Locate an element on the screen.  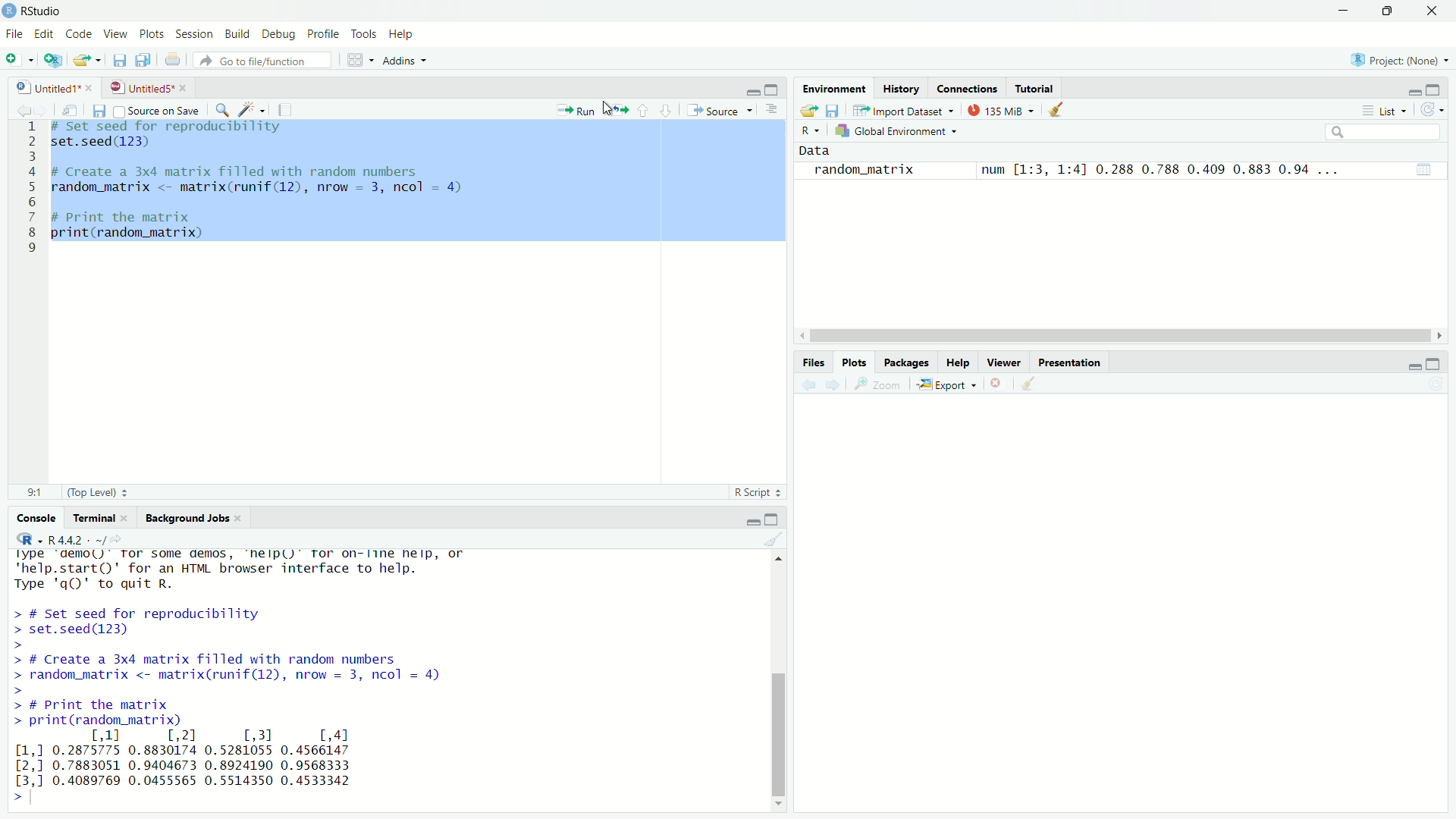
minimise is located at coordinates (1410, 91).